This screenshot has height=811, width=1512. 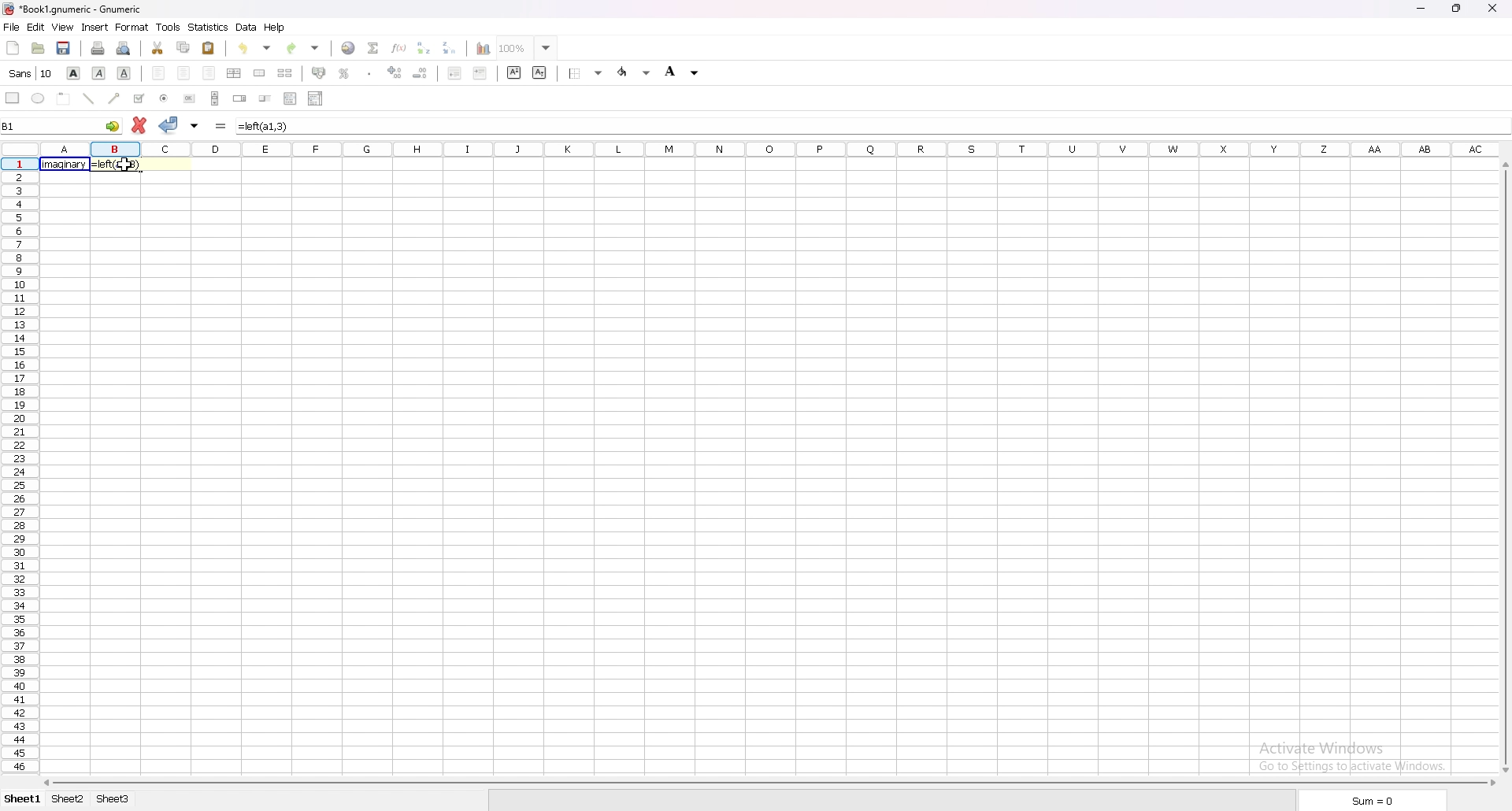 What do you see at coordinates (64, 165) in the screenshot?
I see `word` at bounding box center [64, 165].